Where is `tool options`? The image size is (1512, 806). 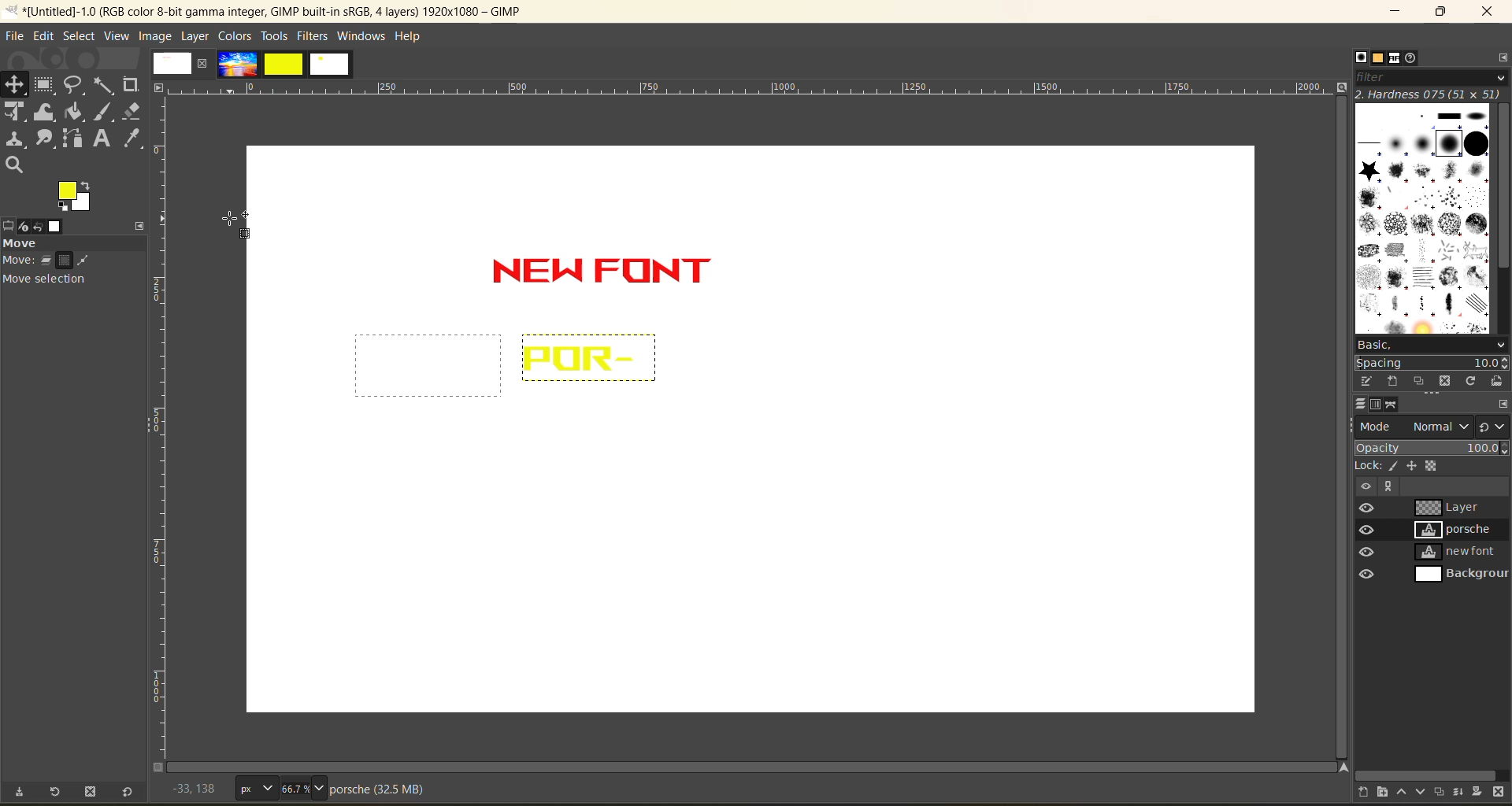 tool options is located at coordinates (9, 226).